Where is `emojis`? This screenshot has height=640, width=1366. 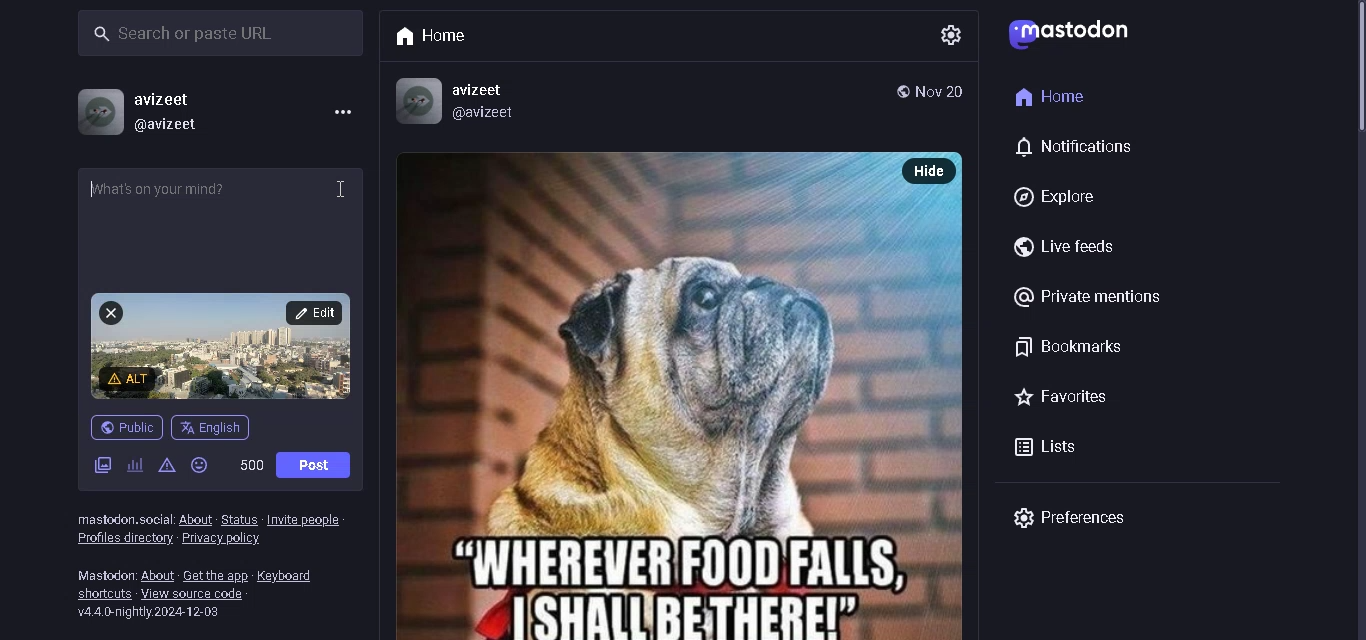 emojis is located at coordinates (199, 471).